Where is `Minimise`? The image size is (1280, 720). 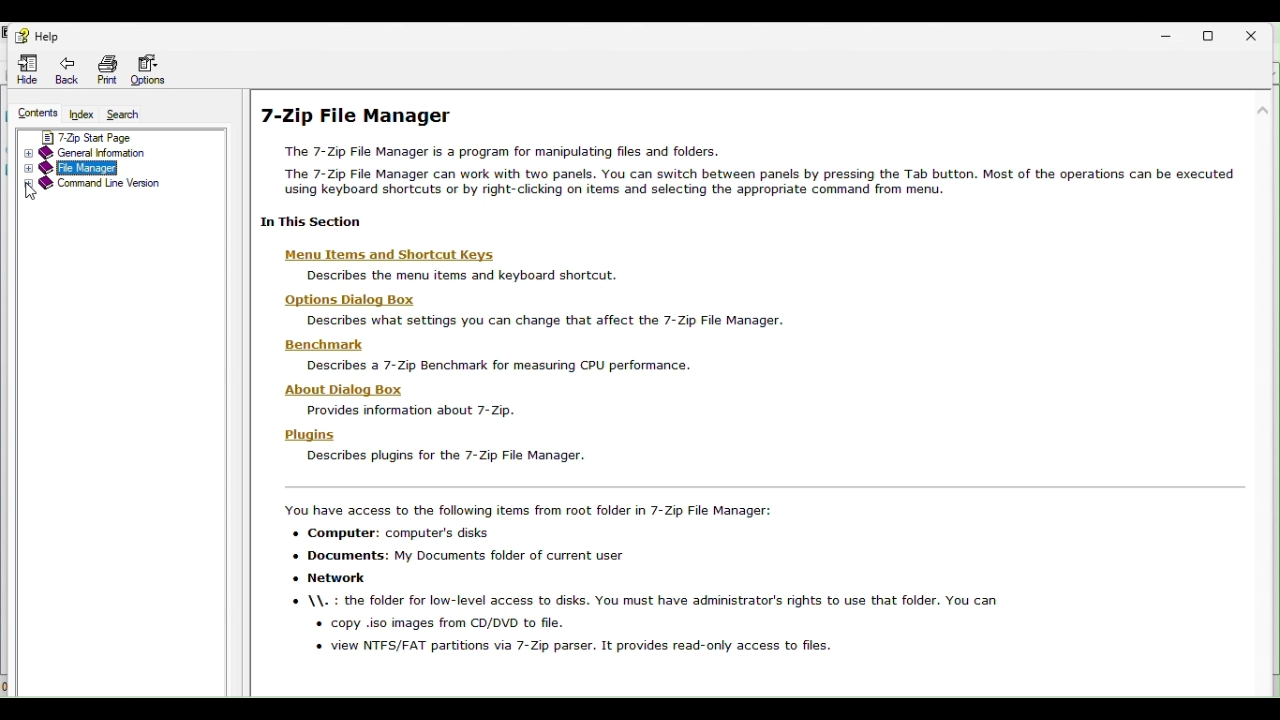 Minimise is located at coordinates (1173, 35).